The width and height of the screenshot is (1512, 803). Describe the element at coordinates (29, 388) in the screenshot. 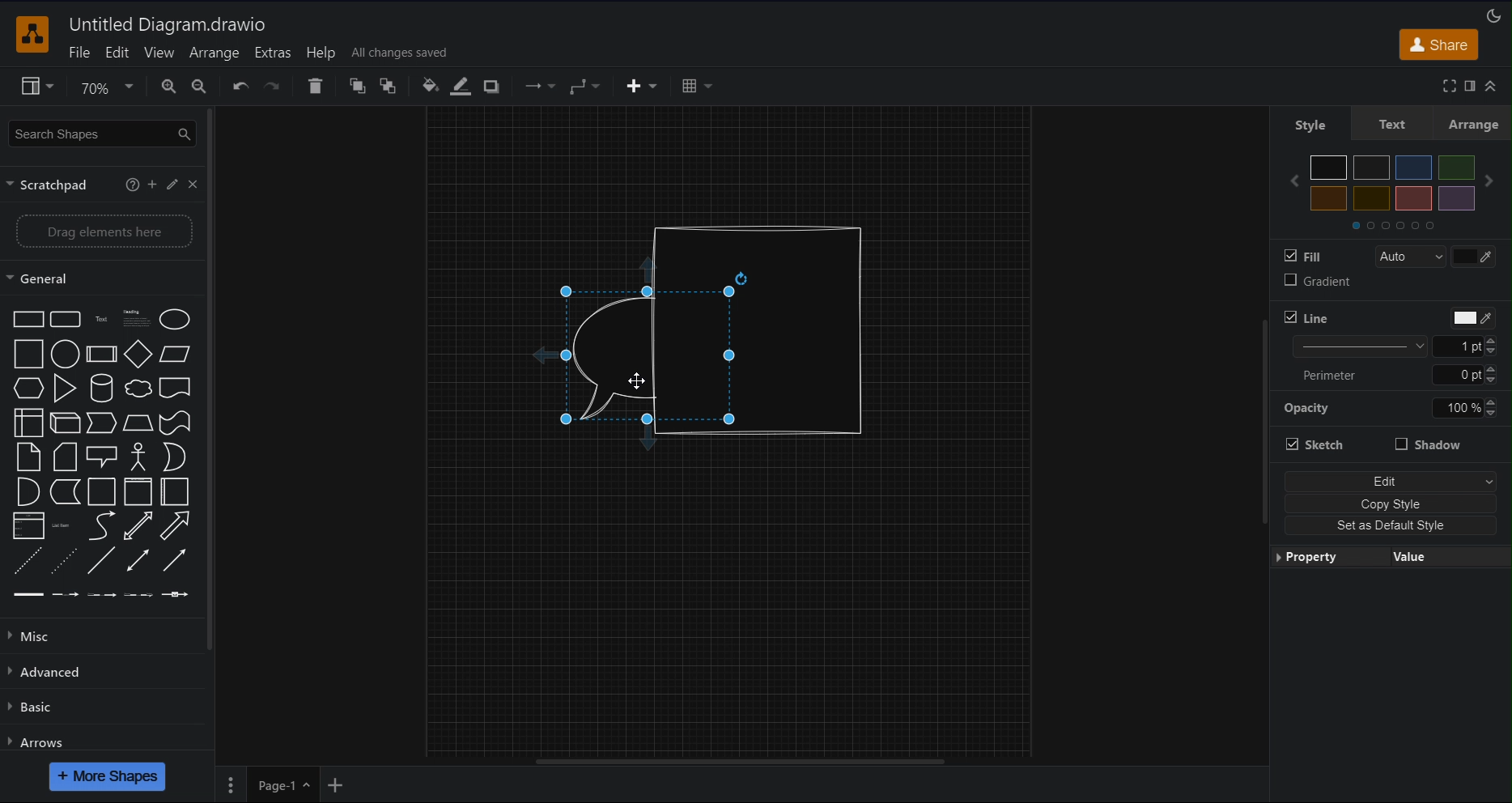

I see `Hexagon` at that location.